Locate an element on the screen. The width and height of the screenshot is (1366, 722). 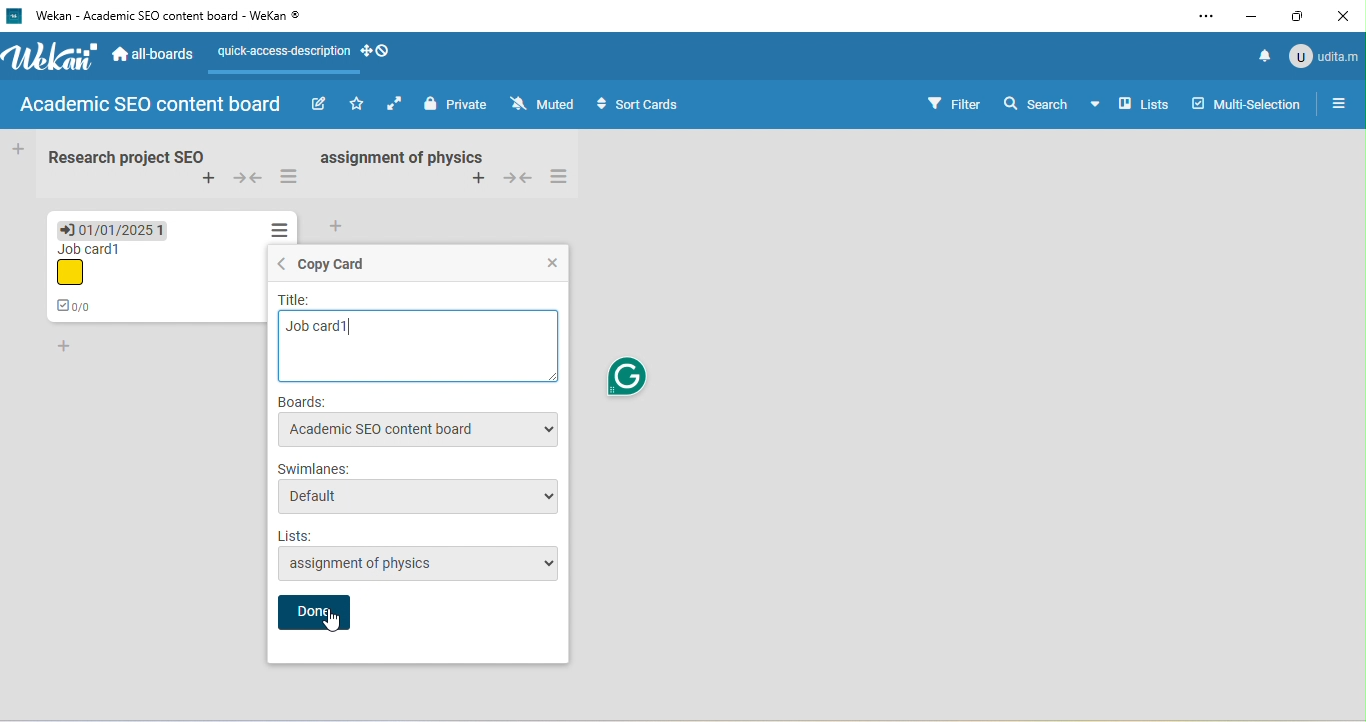
edit is located at coordinates (317, 104).